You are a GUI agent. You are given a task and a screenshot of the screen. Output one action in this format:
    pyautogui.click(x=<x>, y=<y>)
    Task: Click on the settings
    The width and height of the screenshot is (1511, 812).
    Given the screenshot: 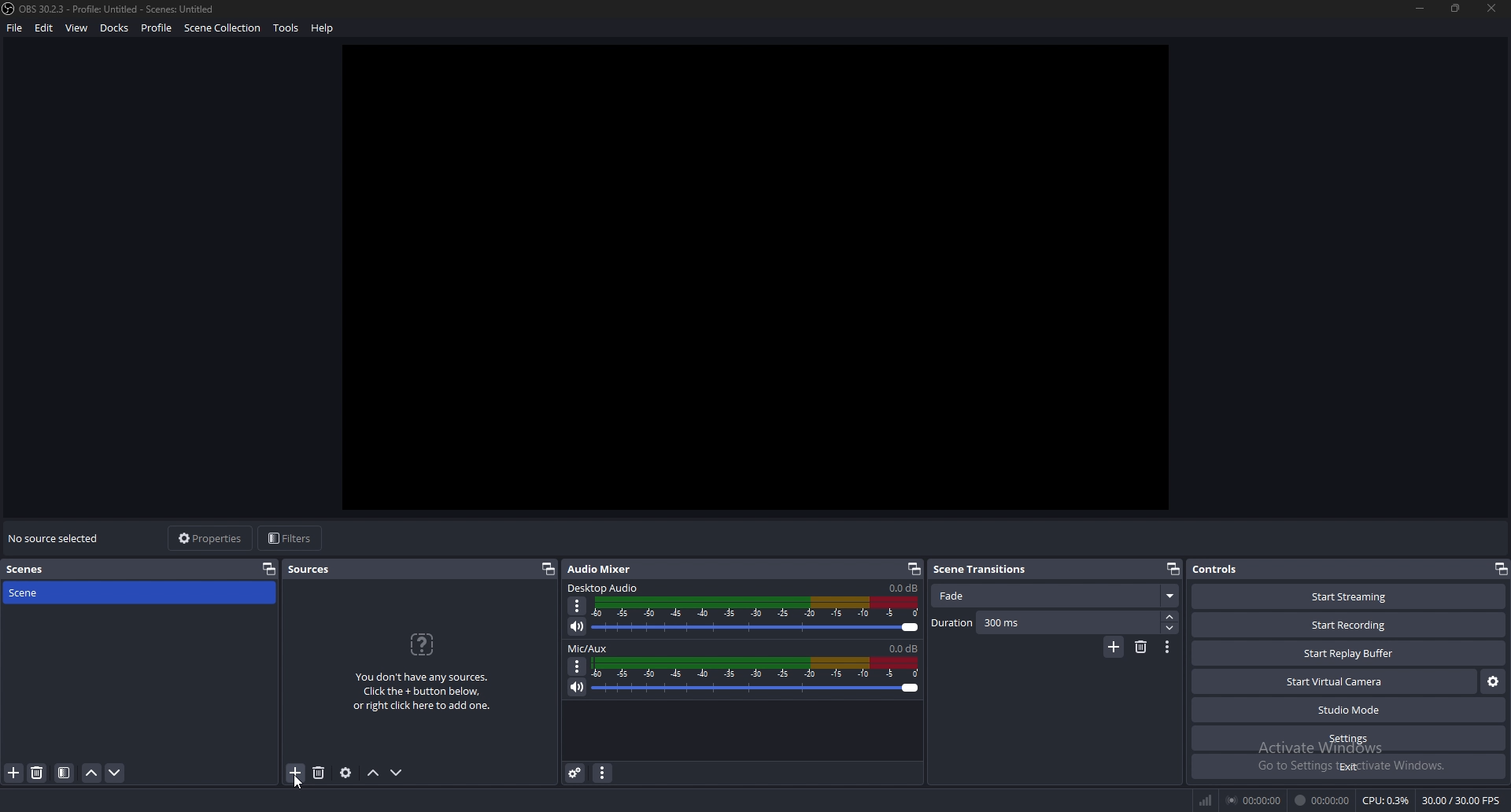 What is the action you would take?
    pyautogui.click(x=1348, y=739)
    